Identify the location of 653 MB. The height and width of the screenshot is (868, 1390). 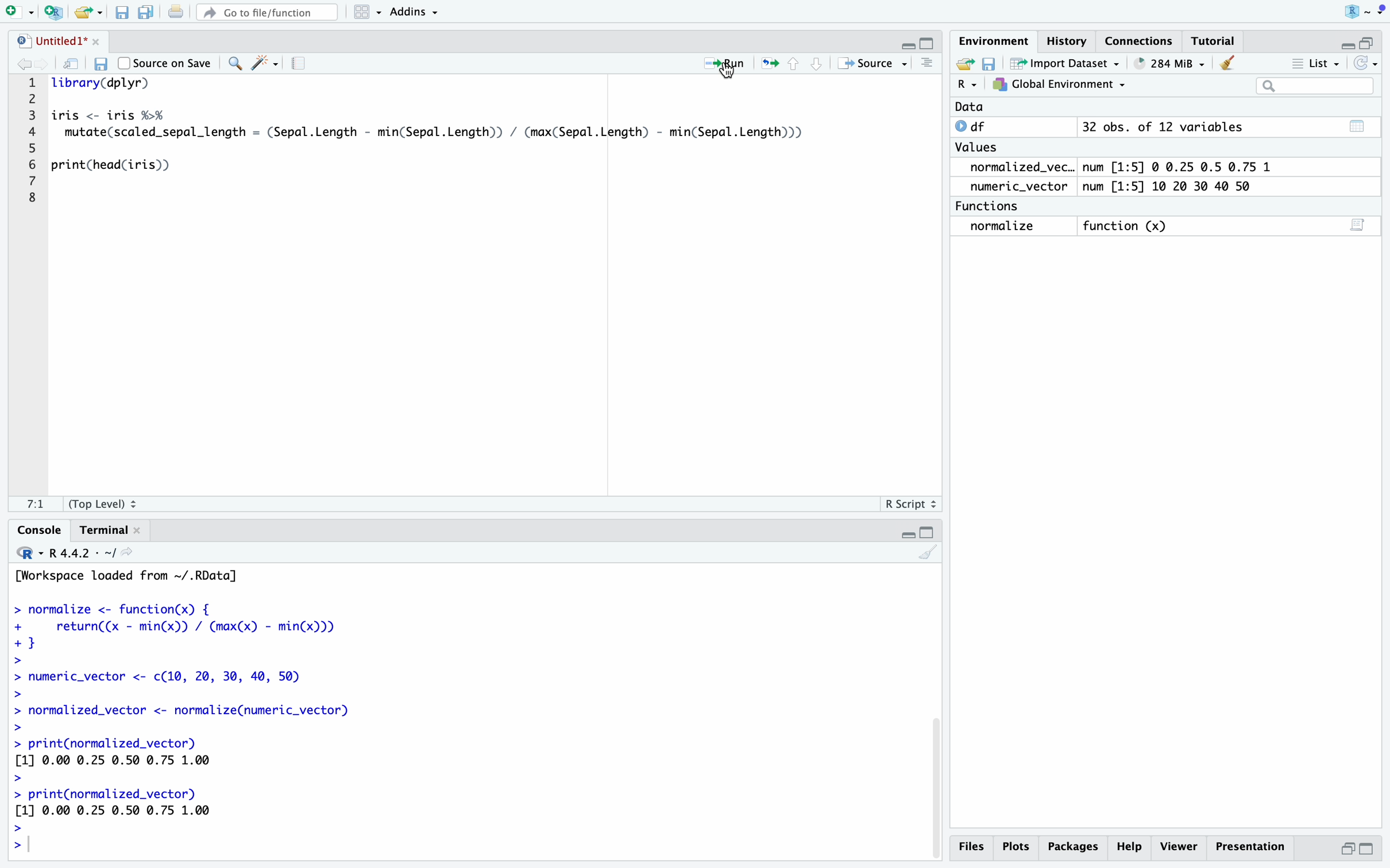
(1177, 63).